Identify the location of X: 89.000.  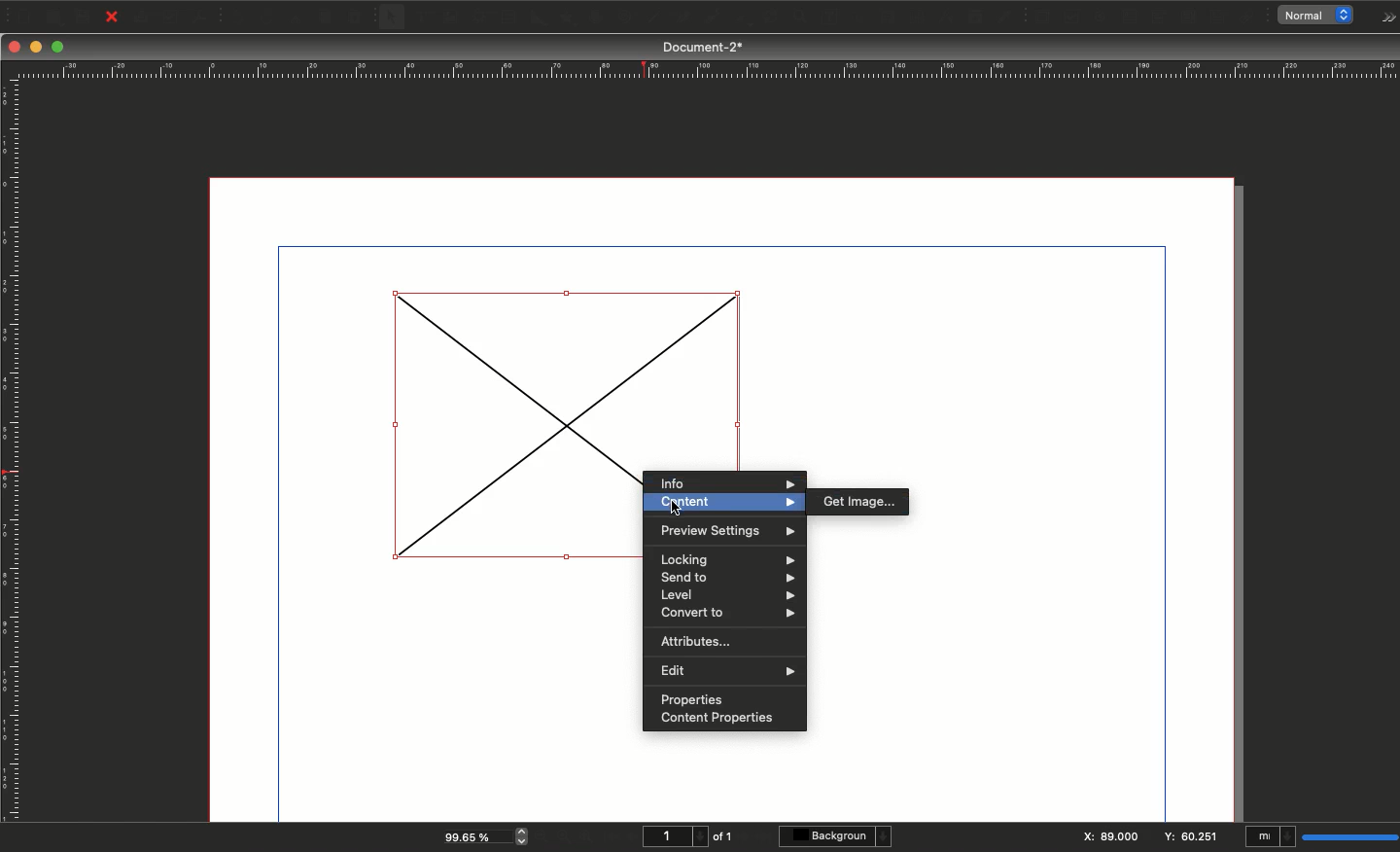
(1108, 837).